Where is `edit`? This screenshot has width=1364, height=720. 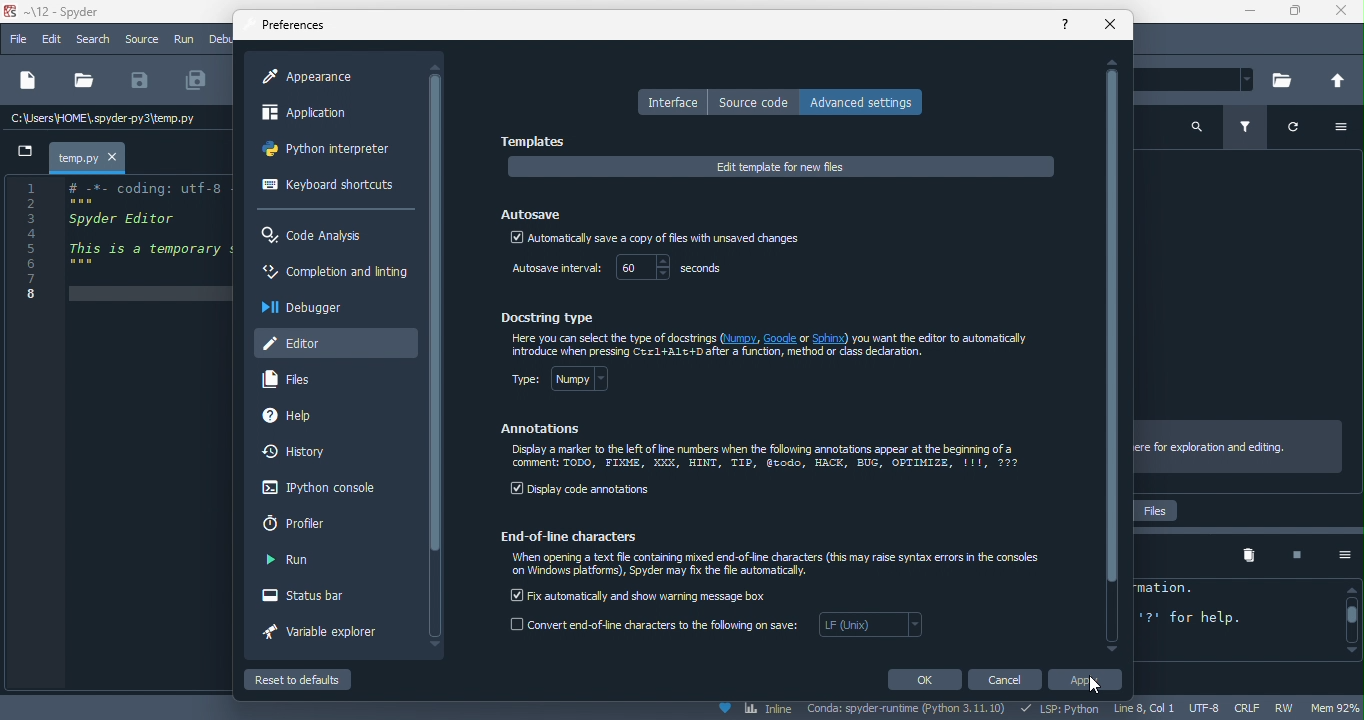 edit is located at coordinates (54, 40).